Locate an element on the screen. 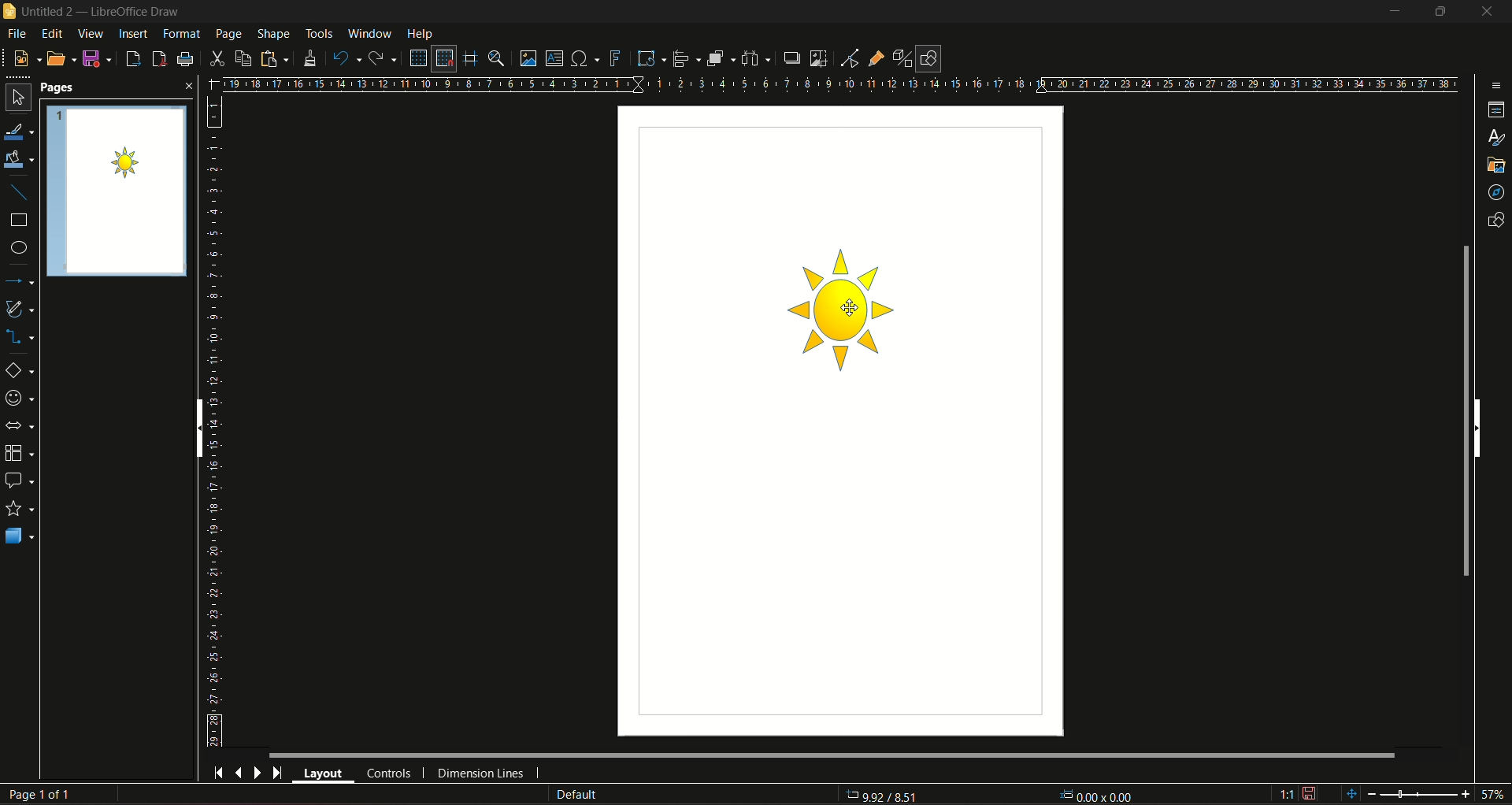 This screenshot has width=1512, height=805. display grid is located at coordinates (419, 58).